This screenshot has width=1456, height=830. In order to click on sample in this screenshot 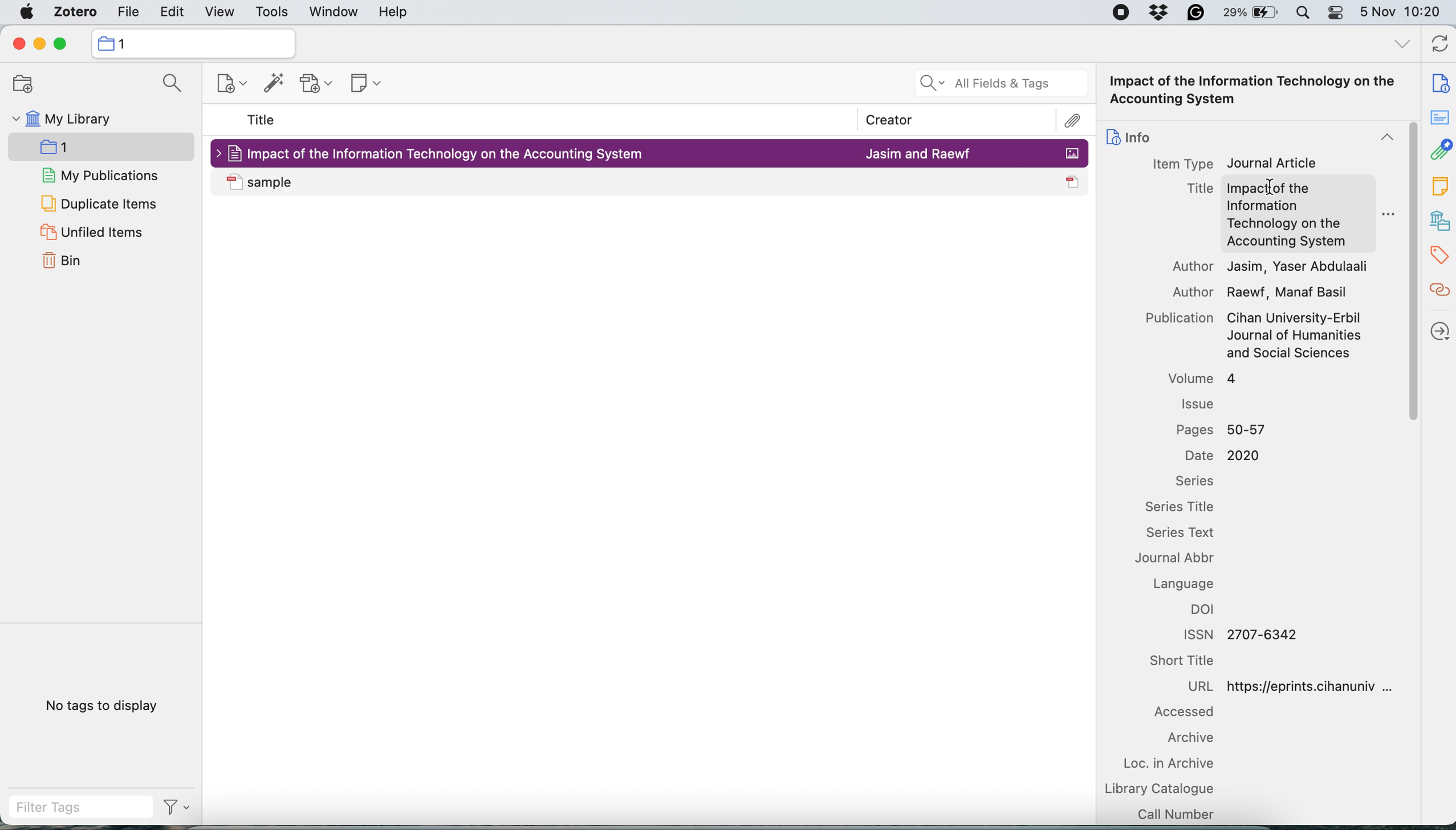, I will do `click(448, 181)`.